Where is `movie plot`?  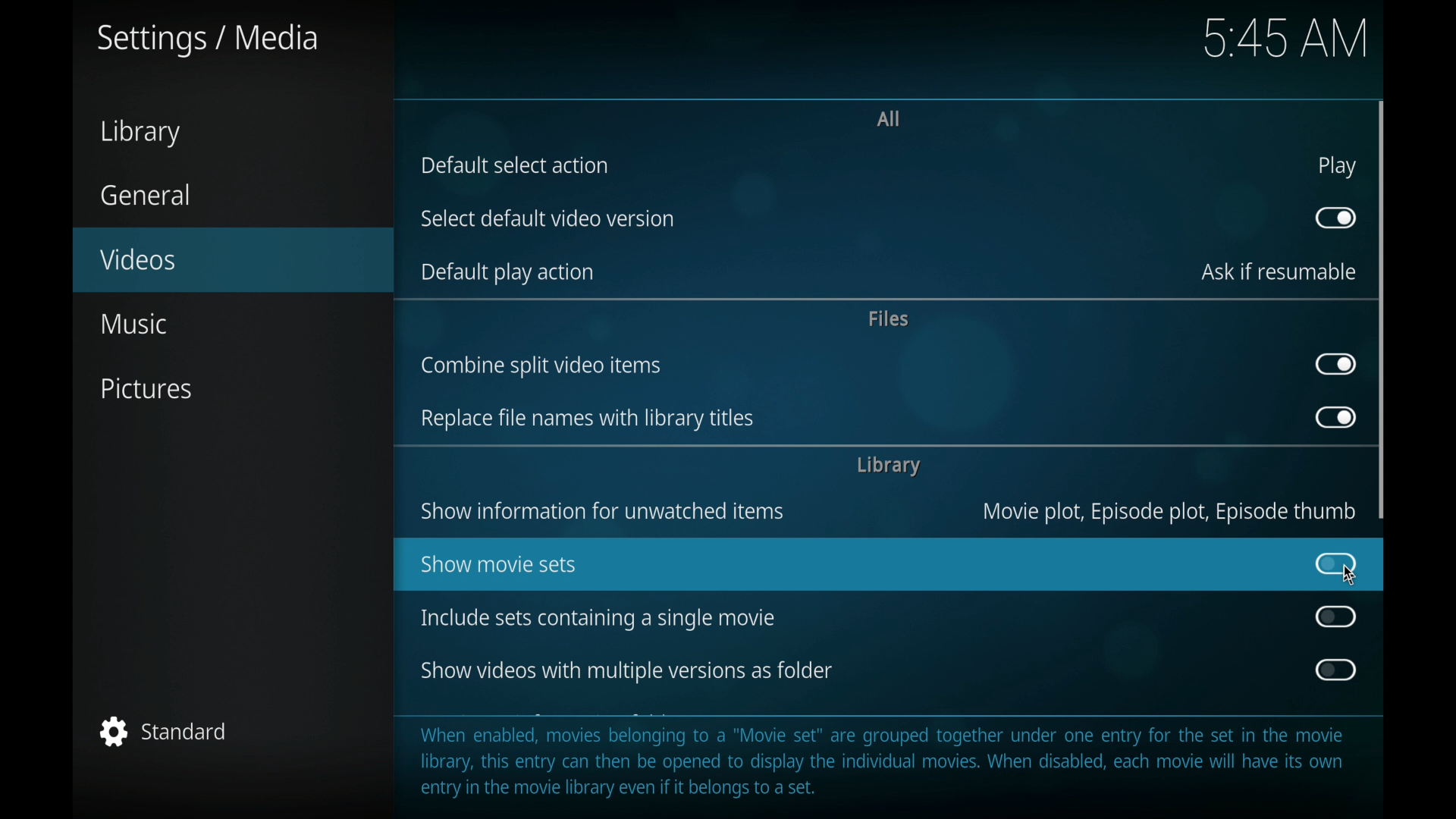 movie plot is located at coordinates (1169, 512).